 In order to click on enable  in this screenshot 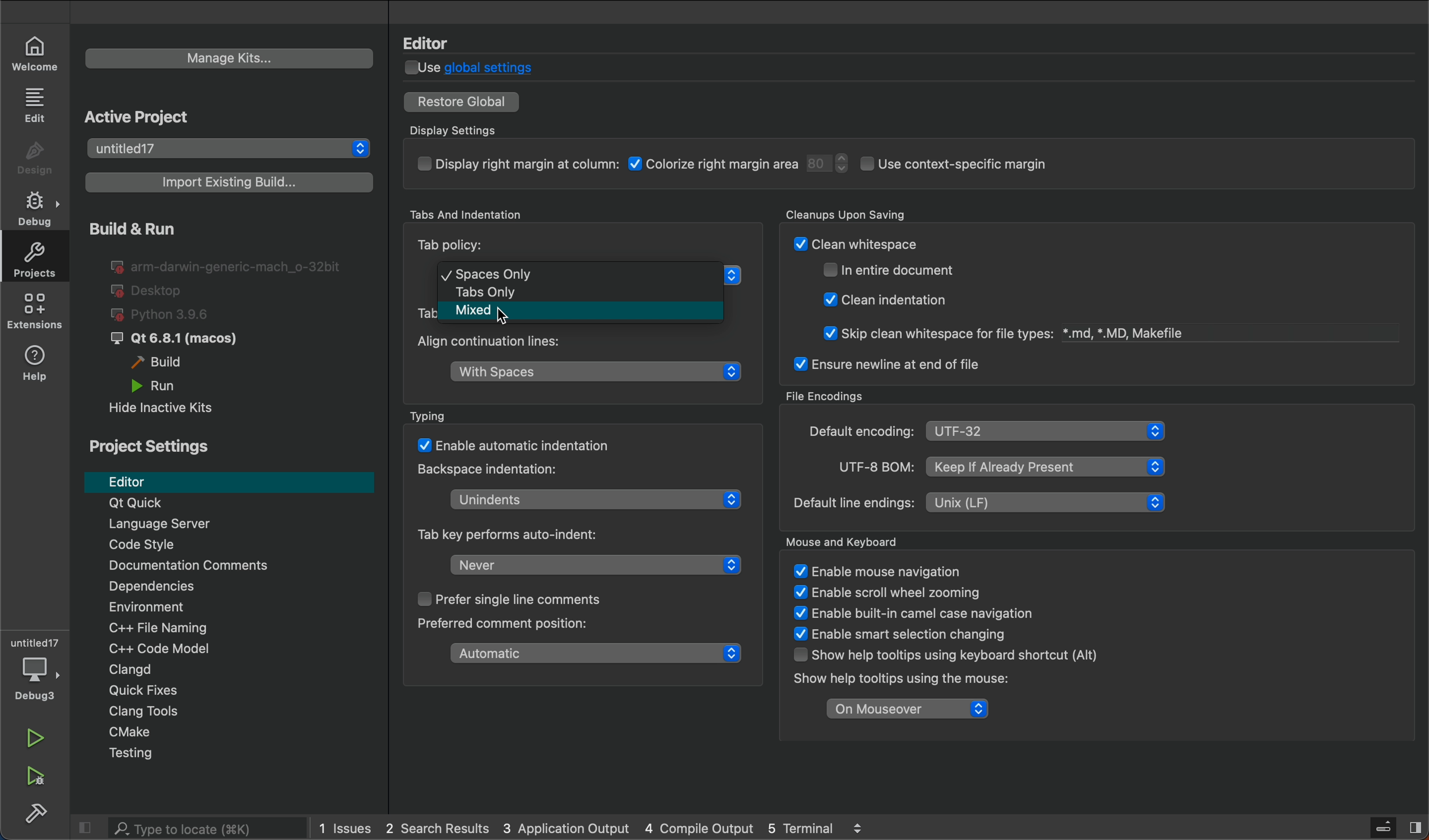, I will do `click(907, 632)`.